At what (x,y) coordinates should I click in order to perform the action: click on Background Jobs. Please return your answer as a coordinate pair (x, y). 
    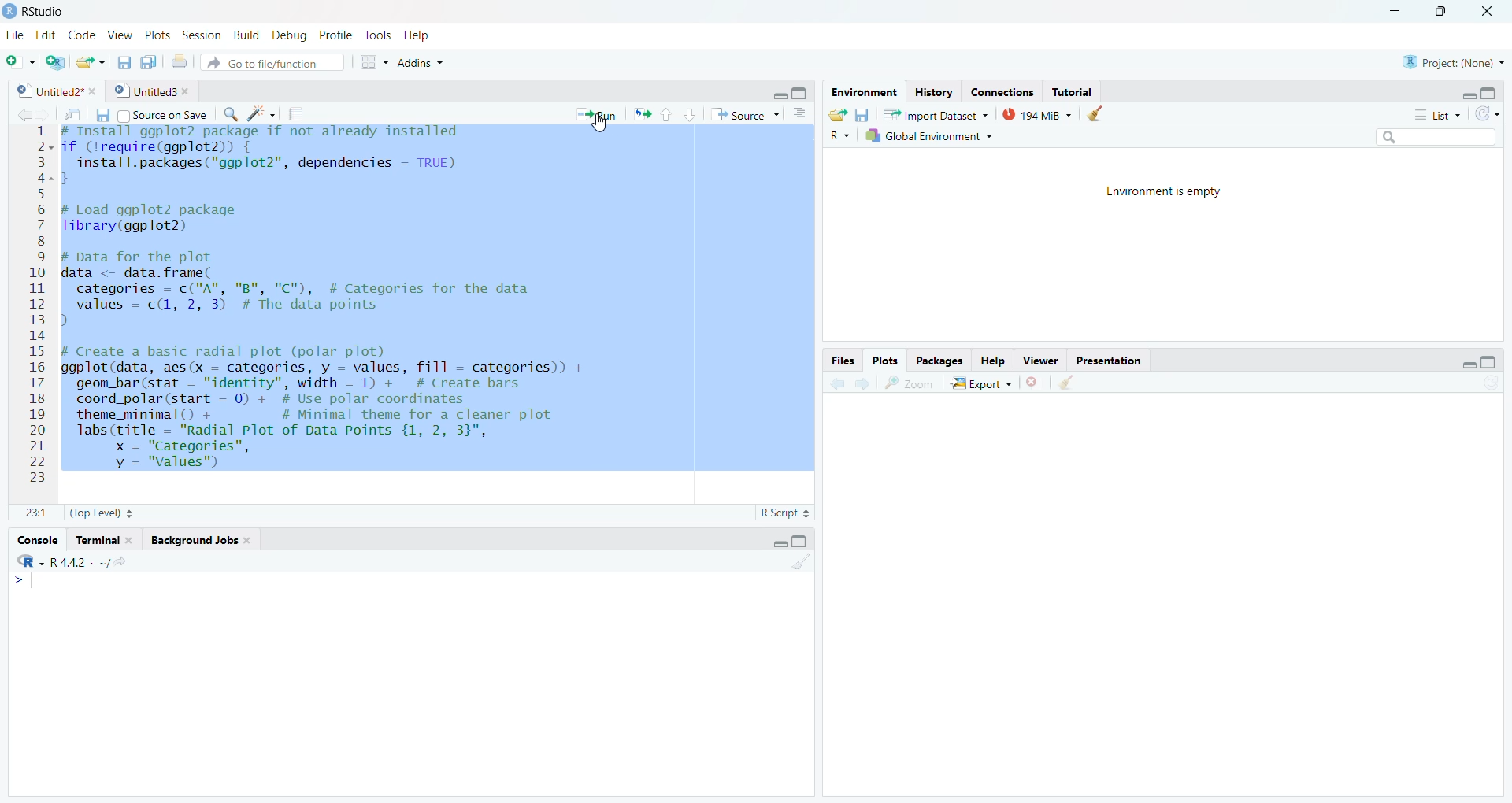
    Looking at the image, I should click on (203, 542).